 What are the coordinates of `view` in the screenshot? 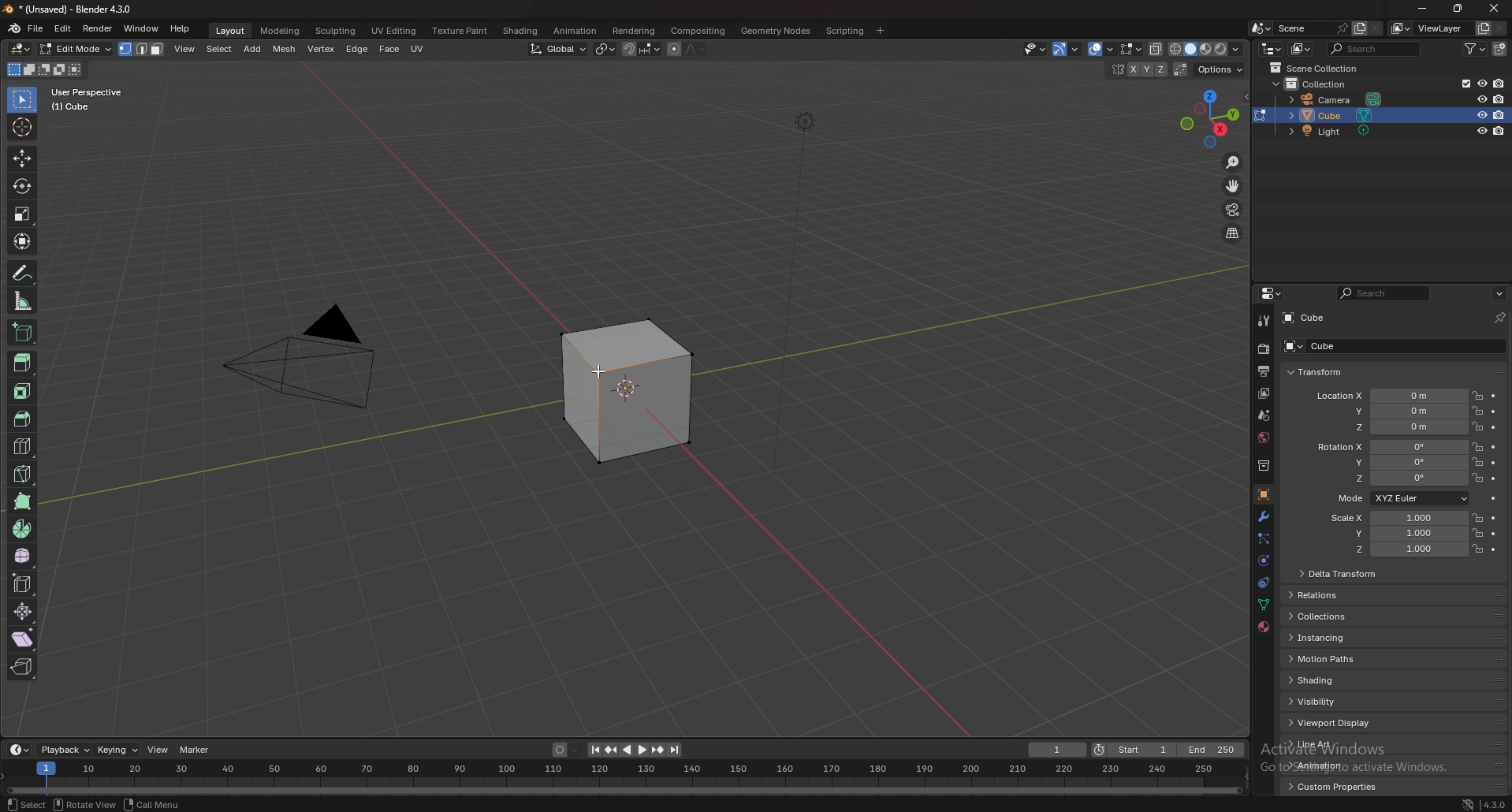 It's located at (185, 51).